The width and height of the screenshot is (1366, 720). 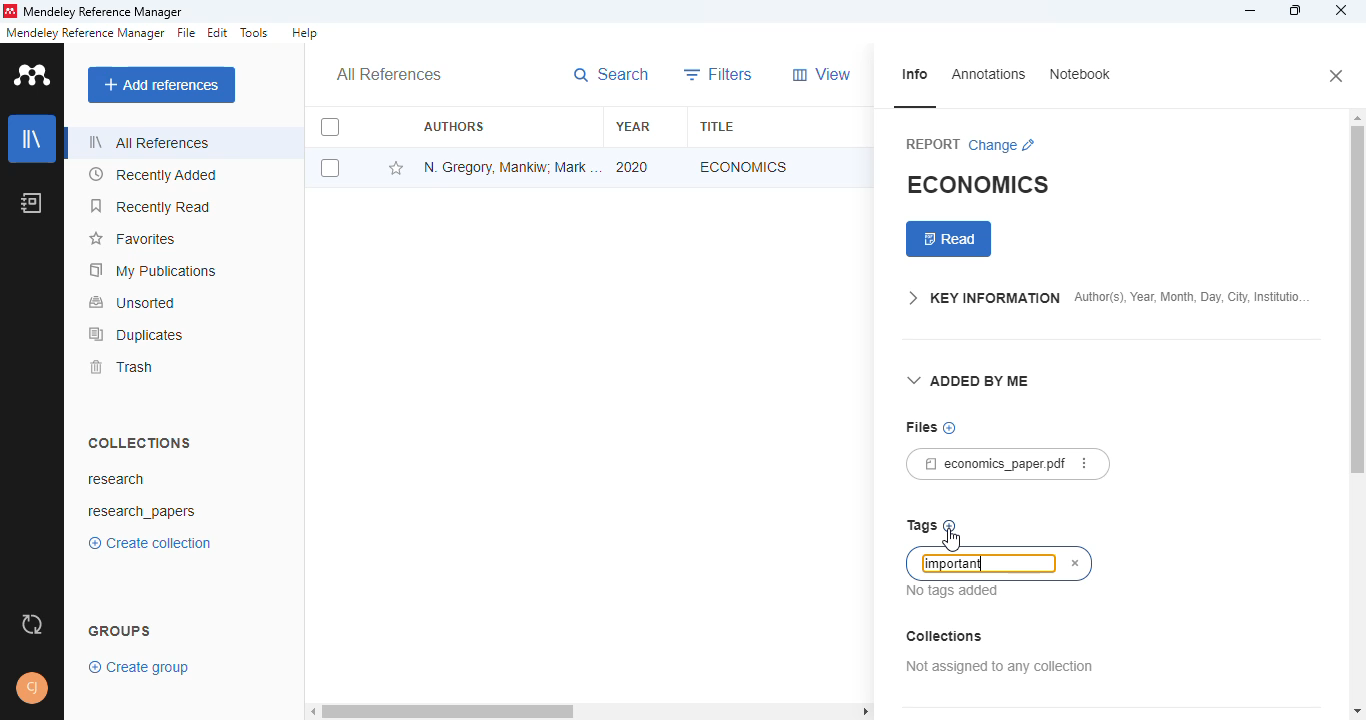 What do you see at coordinates (10, 11) in the screenshot?
I see `logo` at bounding box center [10, 11].